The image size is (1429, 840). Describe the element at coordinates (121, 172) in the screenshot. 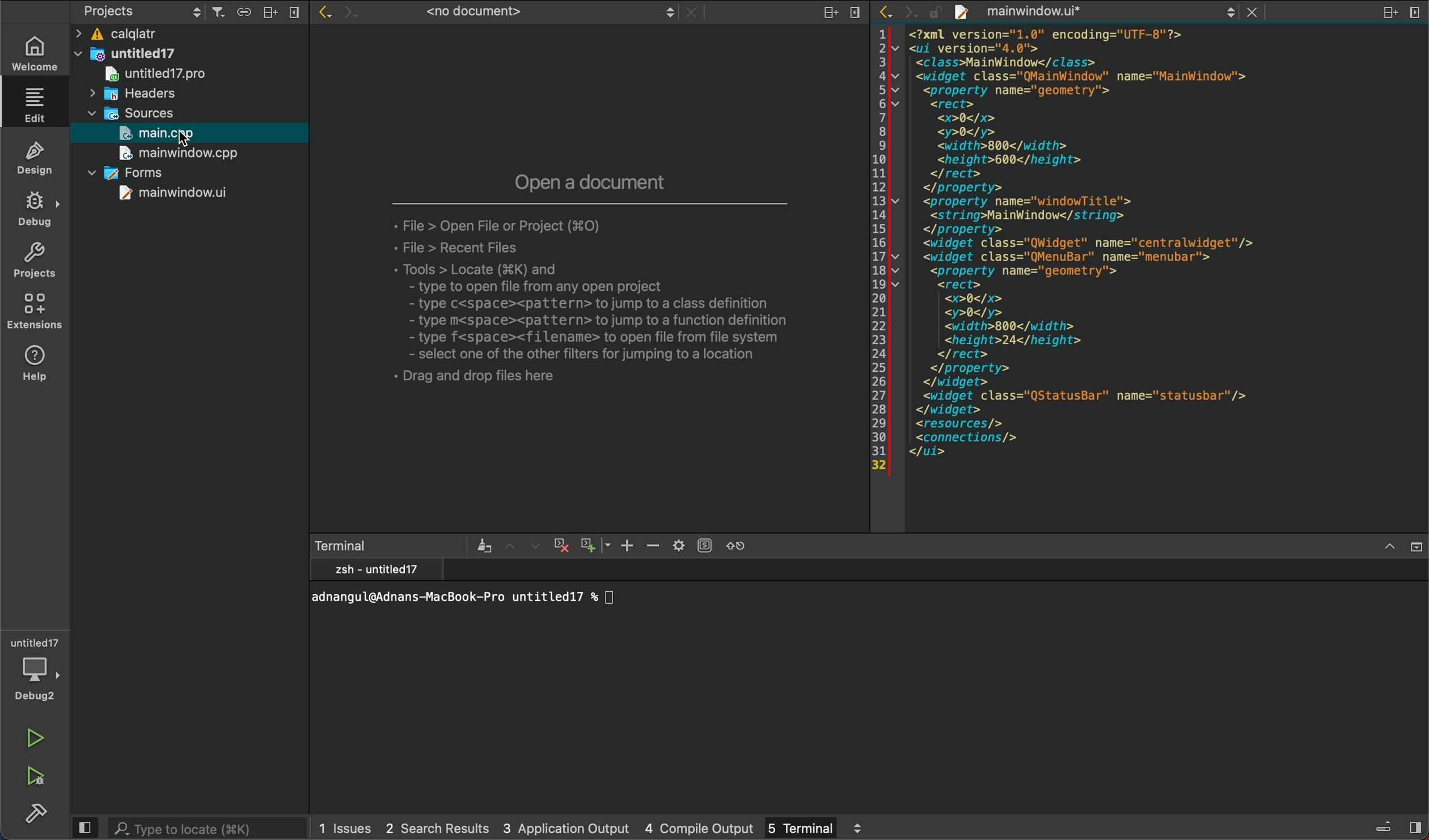

I see `forms` at that location.